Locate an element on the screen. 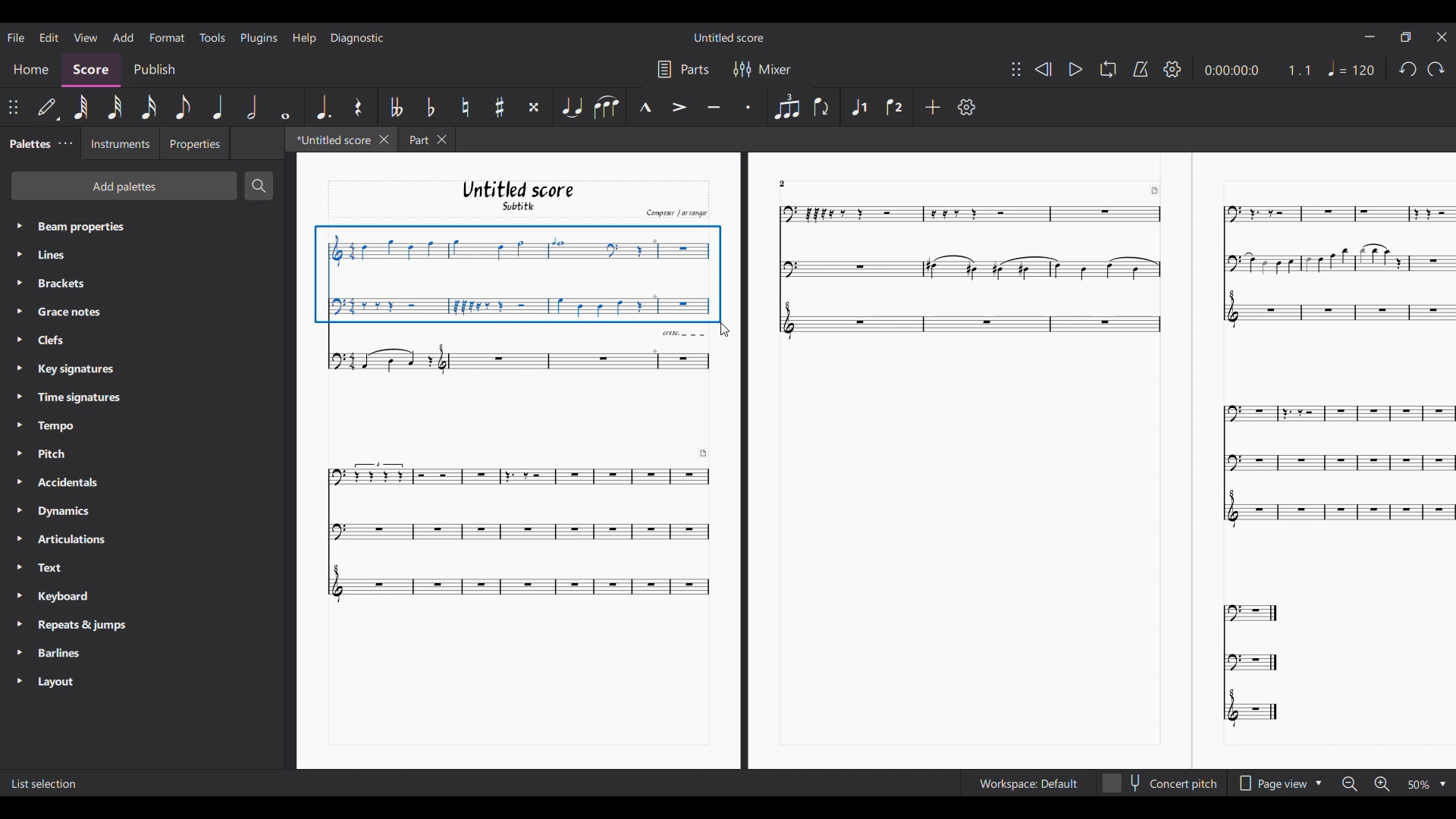  Add is located at coordinates (932, 106).